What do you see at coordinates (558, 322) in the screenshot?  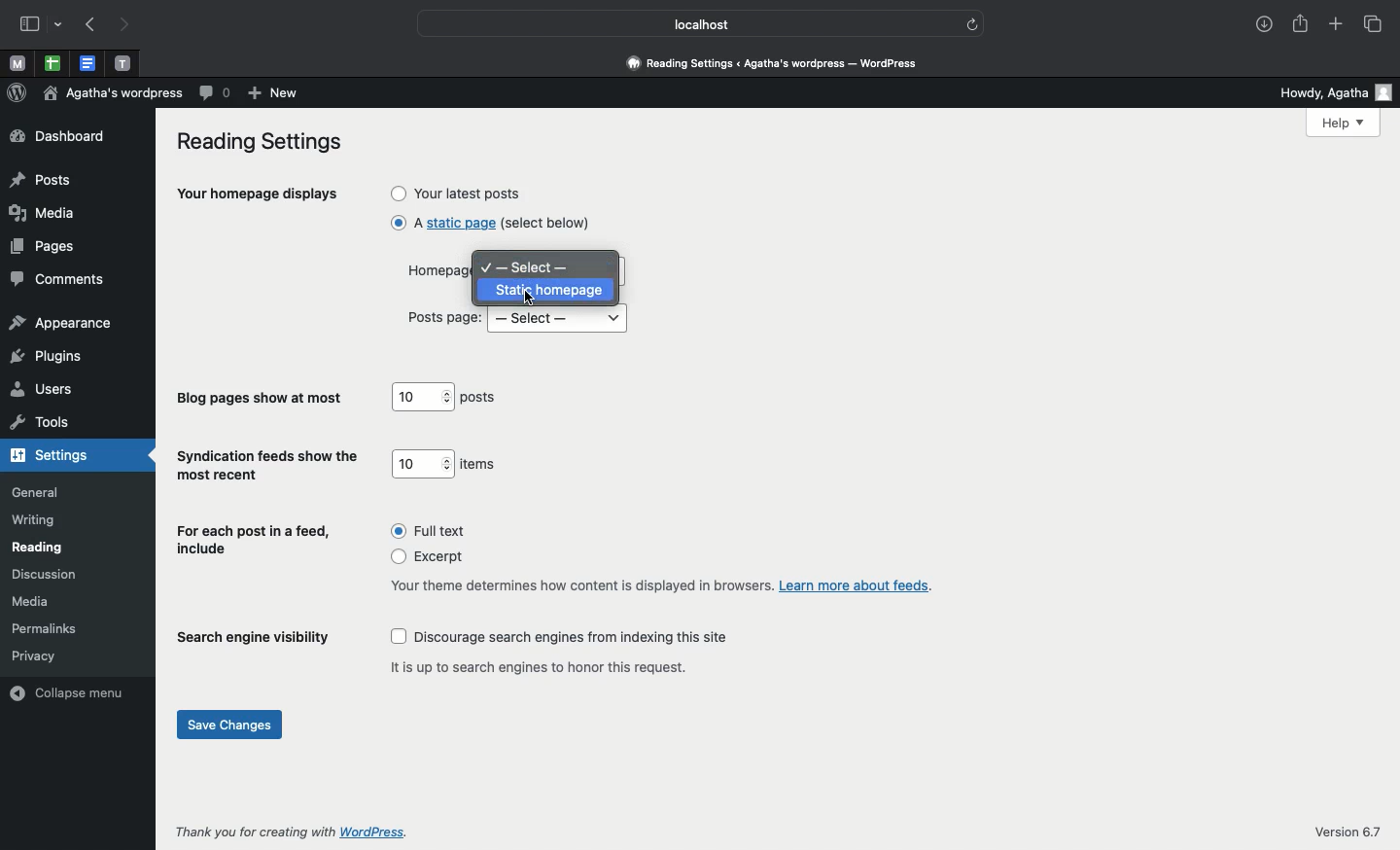 I see `Select` at bounding box center [558, 322].